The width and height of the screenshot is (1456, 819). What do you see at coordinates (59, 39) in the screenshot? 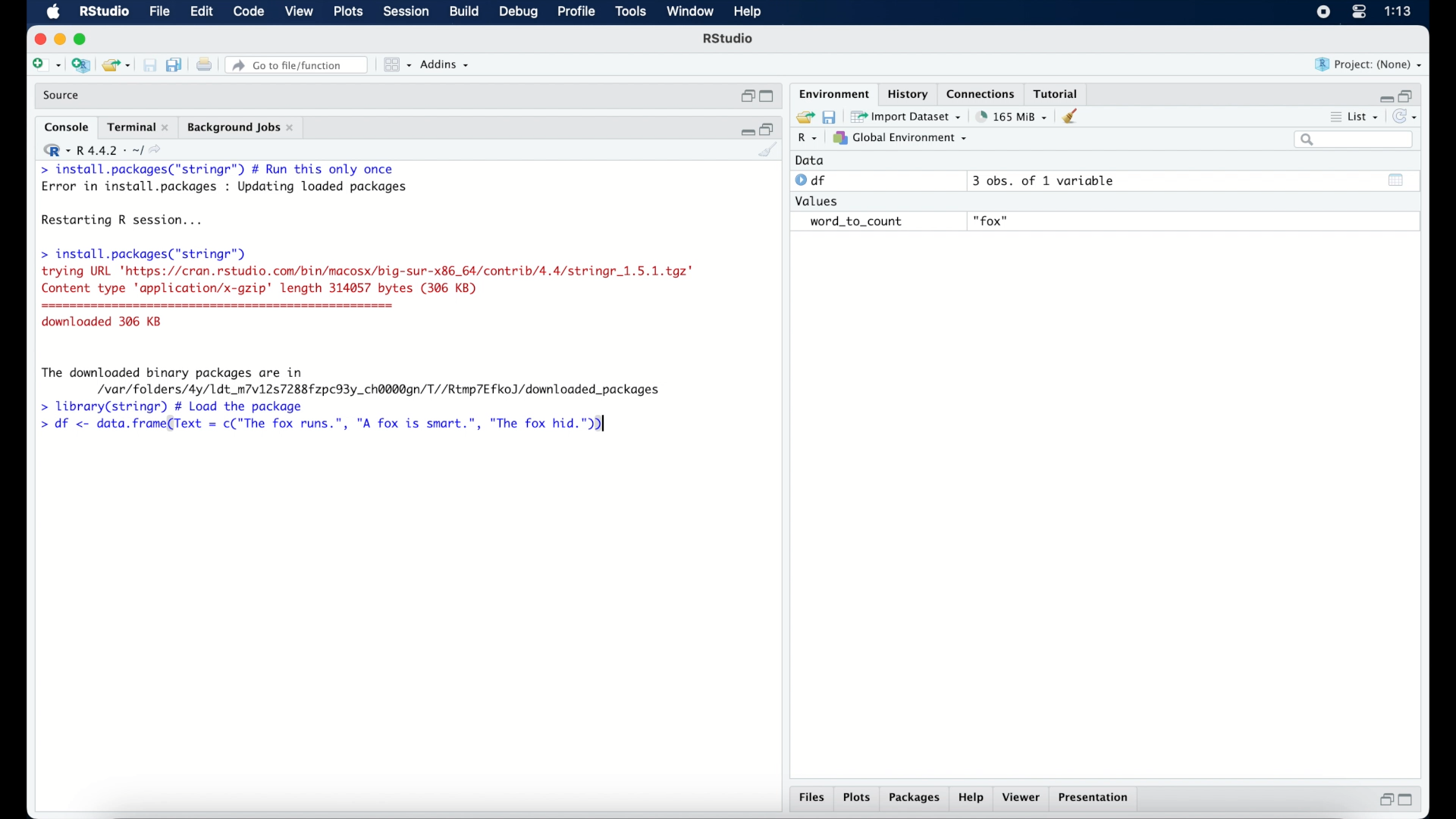
I see `minimize` at bounding box center [59, 39].